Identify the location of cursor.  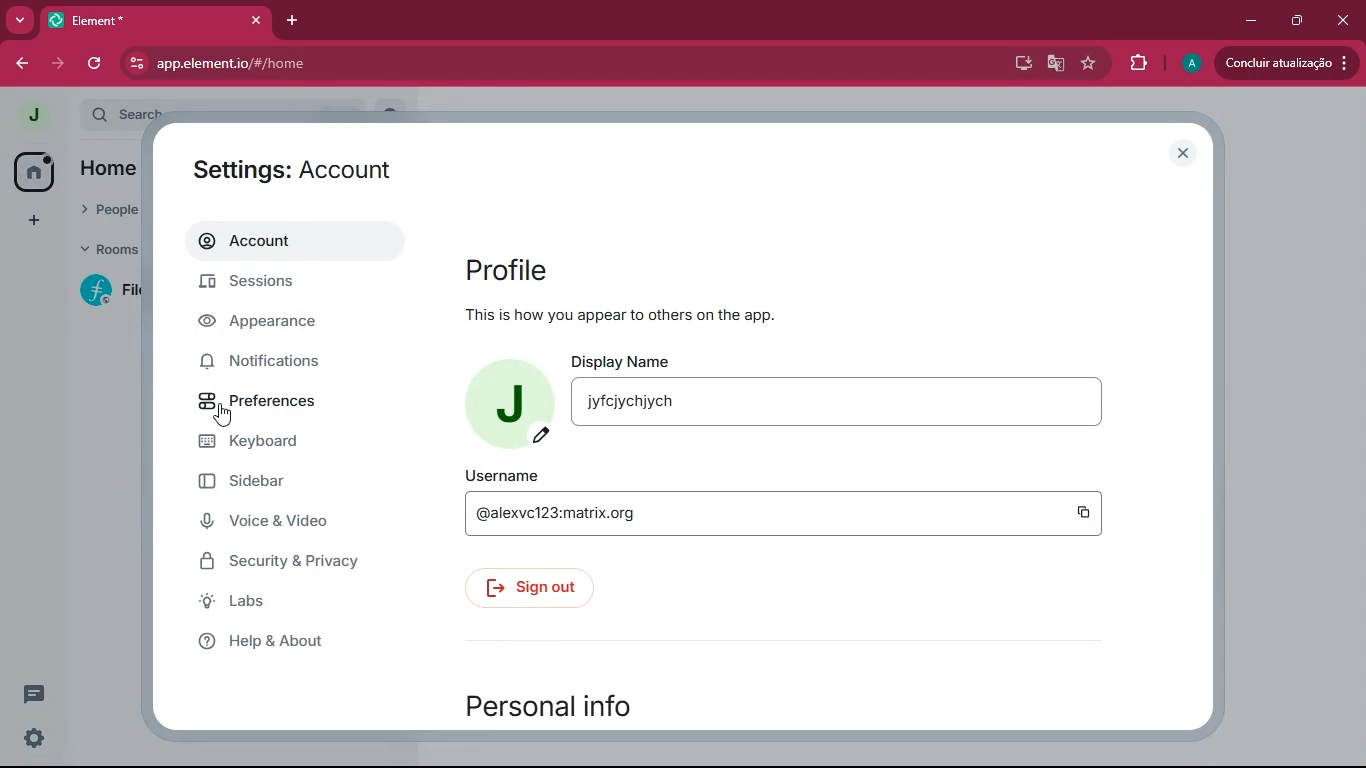
(223, 415).